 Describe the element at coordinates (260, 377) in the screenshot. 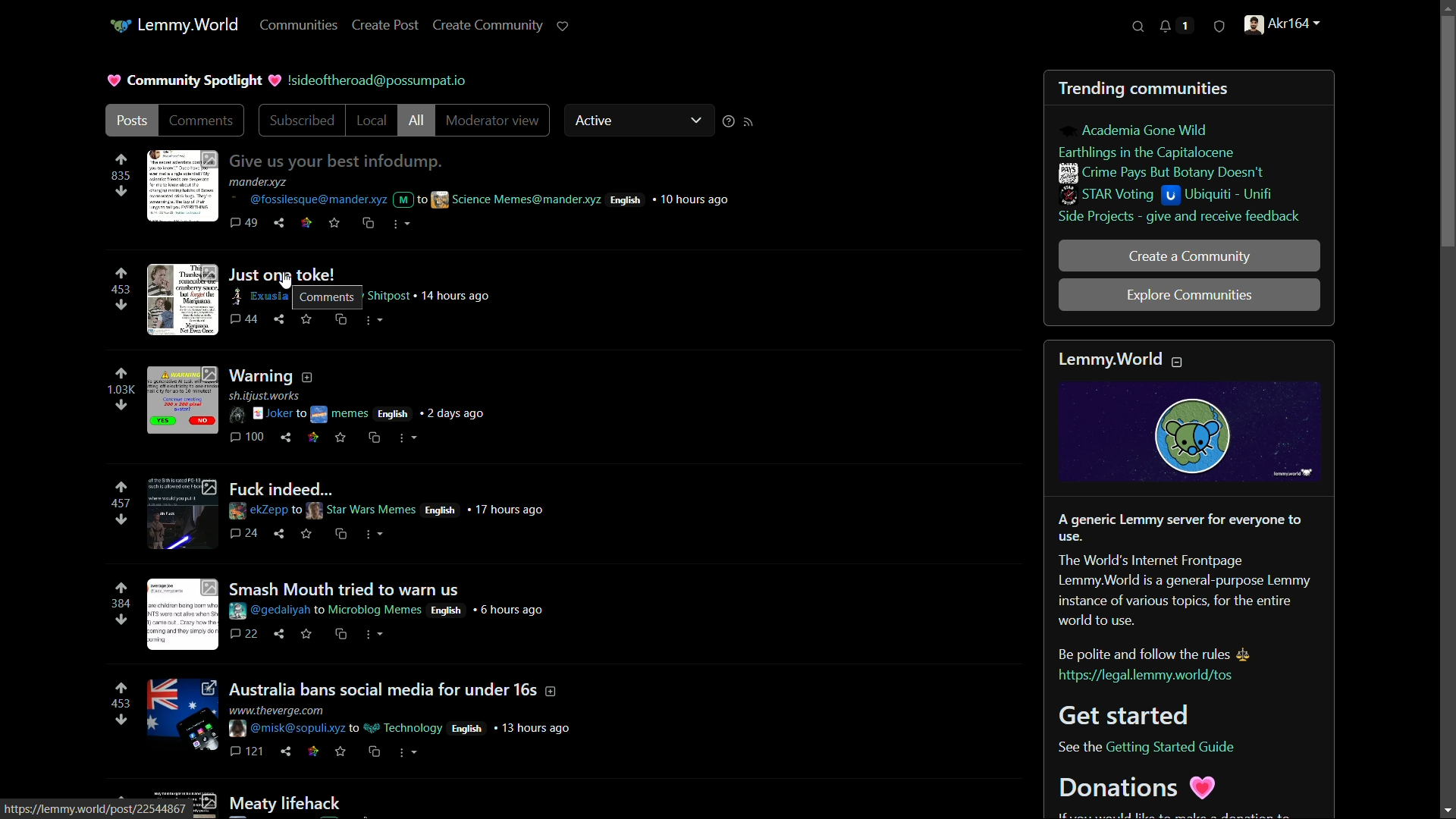

I see `Warning` at that location.